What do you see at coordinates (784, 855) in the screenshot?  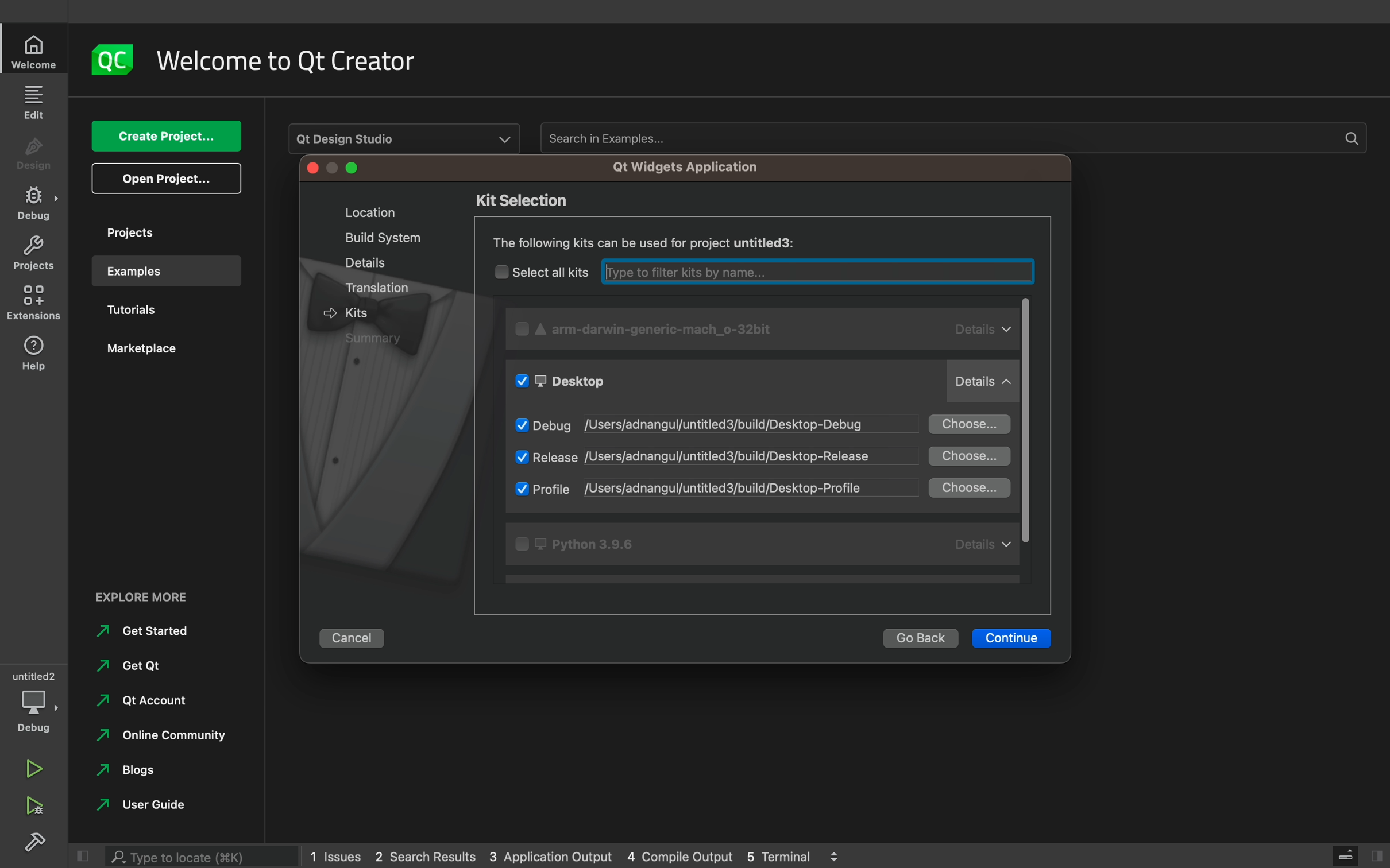 I see `5 terminal` at bounding box center [784, 855].